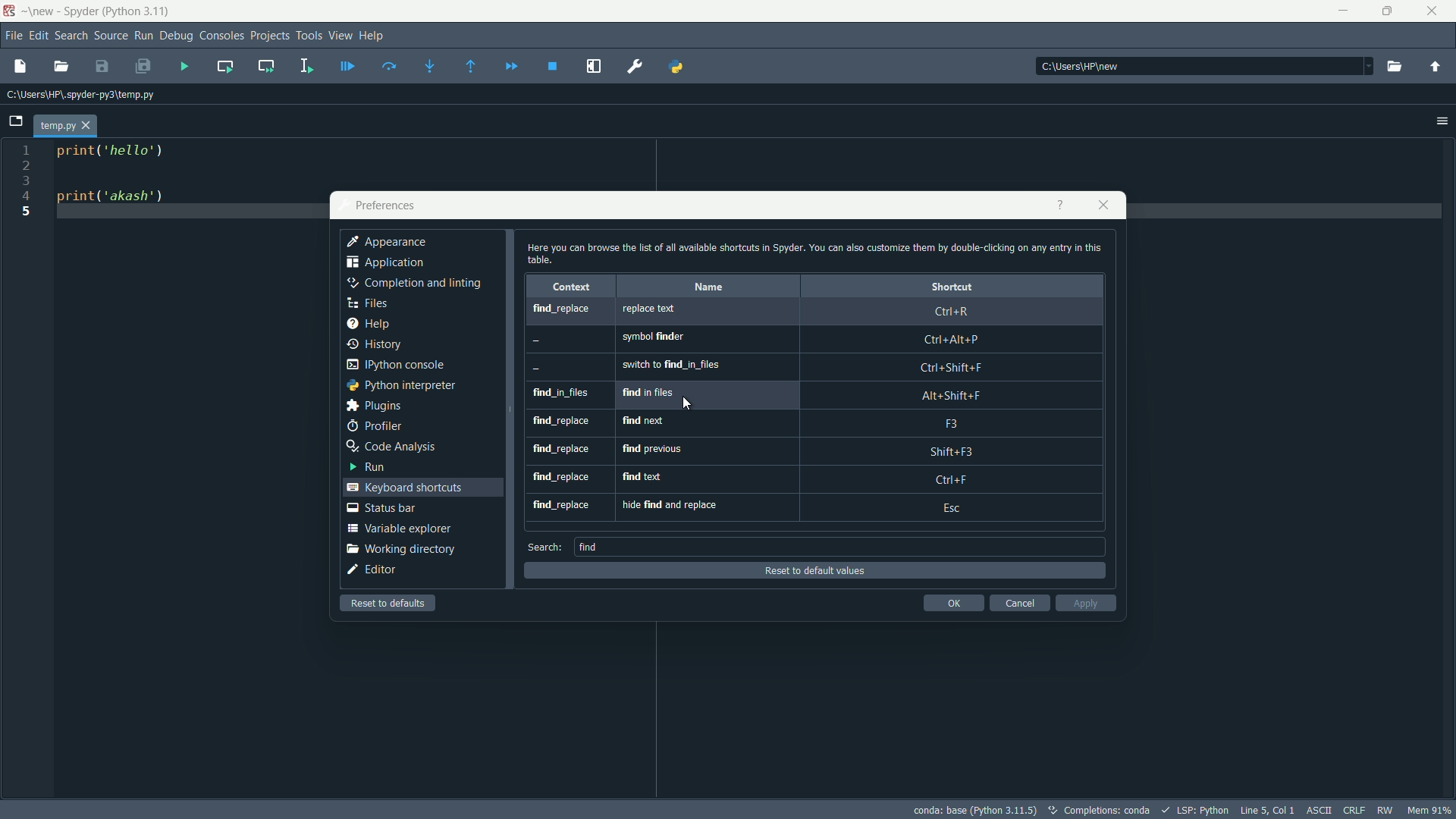 Image resolution: width=1456 pixels, height=819 pixels. I want to click on run selection, so click(309, 67).